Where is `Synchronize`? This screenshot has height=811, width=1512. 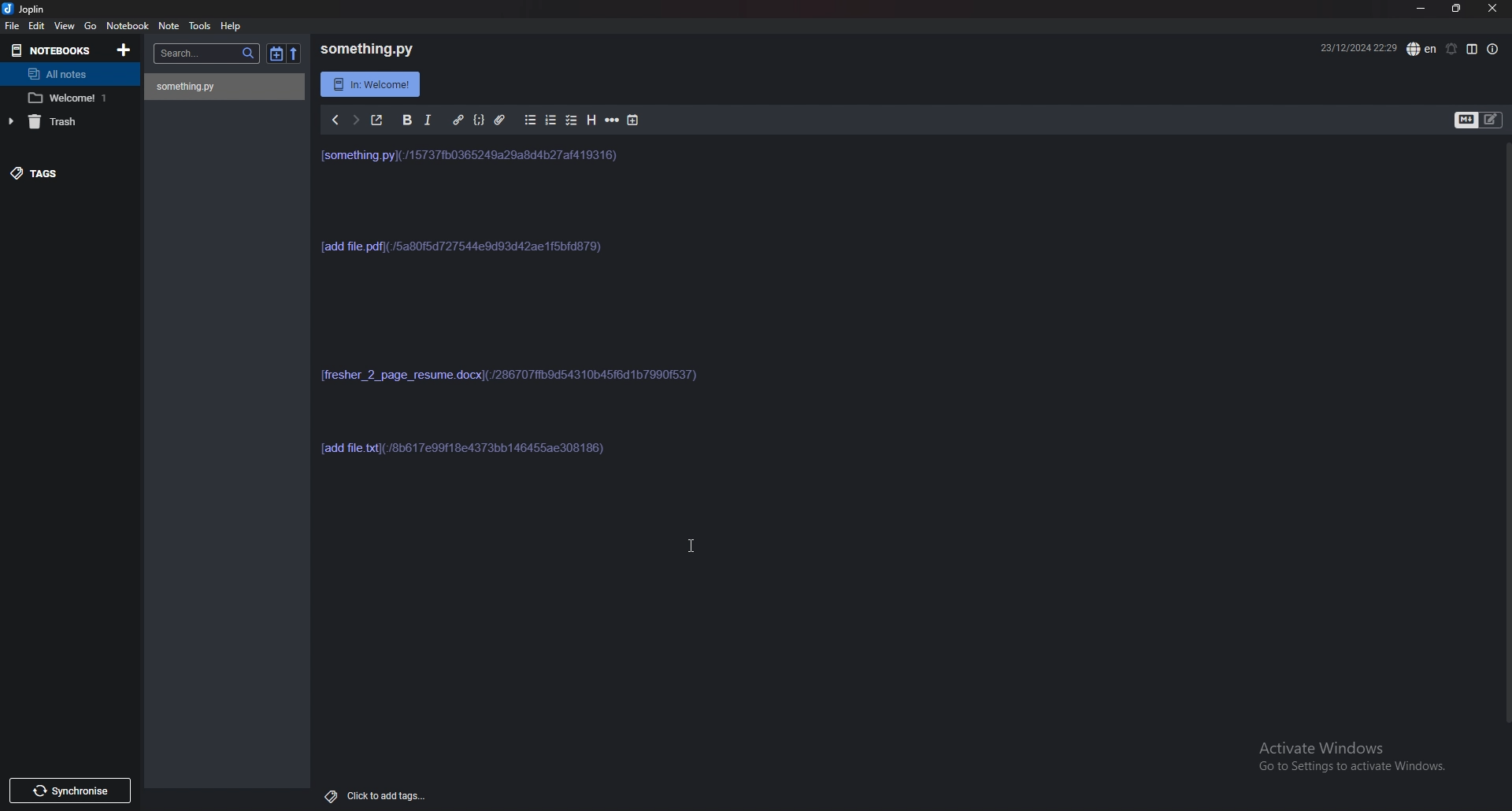 Synchronize is located at coordinates (69, 788).